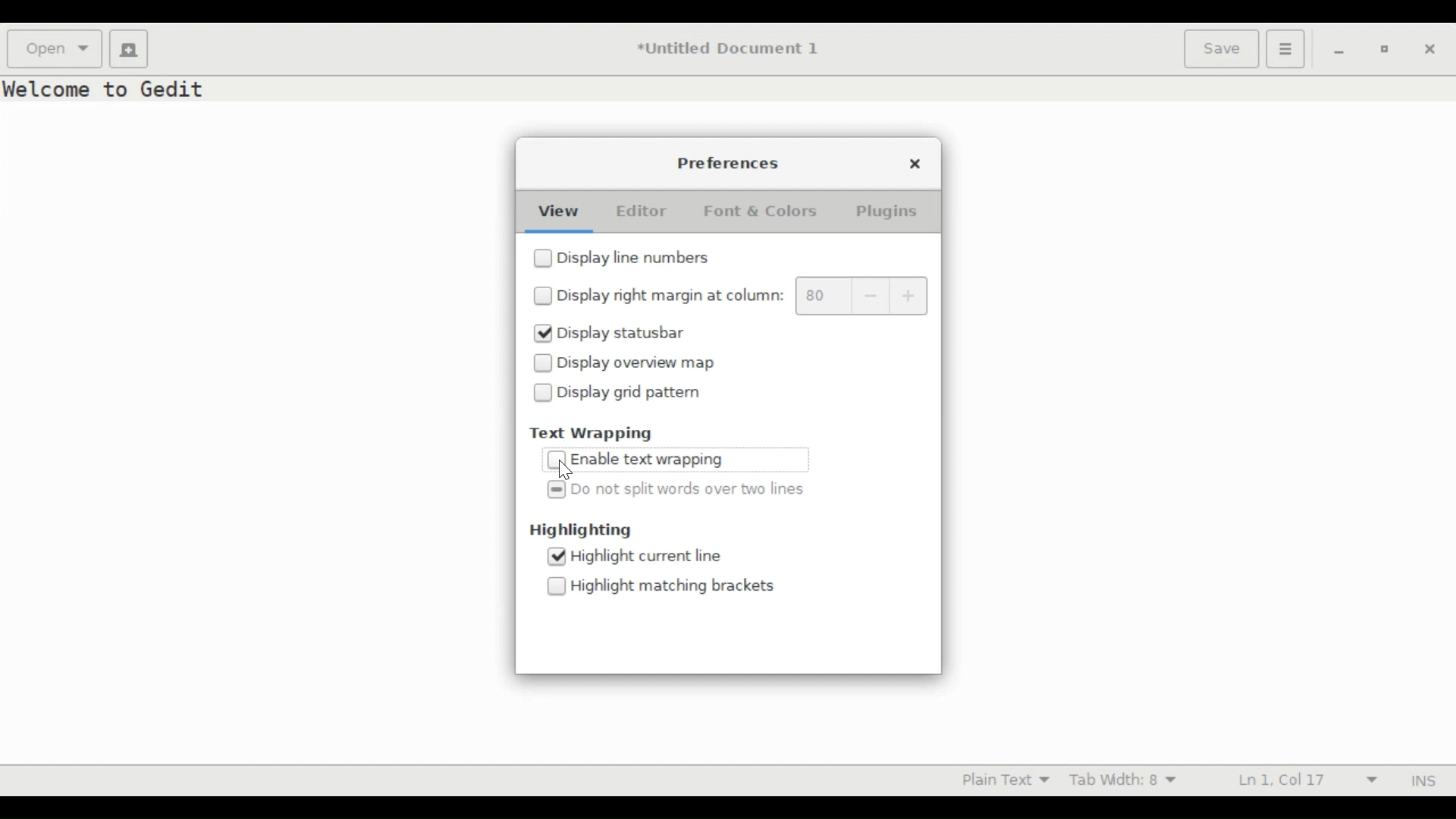 The image size is (1456, 819). Describe the element at coordinates (127, 48) in the screenshot. I see `Create a new document` at that location.